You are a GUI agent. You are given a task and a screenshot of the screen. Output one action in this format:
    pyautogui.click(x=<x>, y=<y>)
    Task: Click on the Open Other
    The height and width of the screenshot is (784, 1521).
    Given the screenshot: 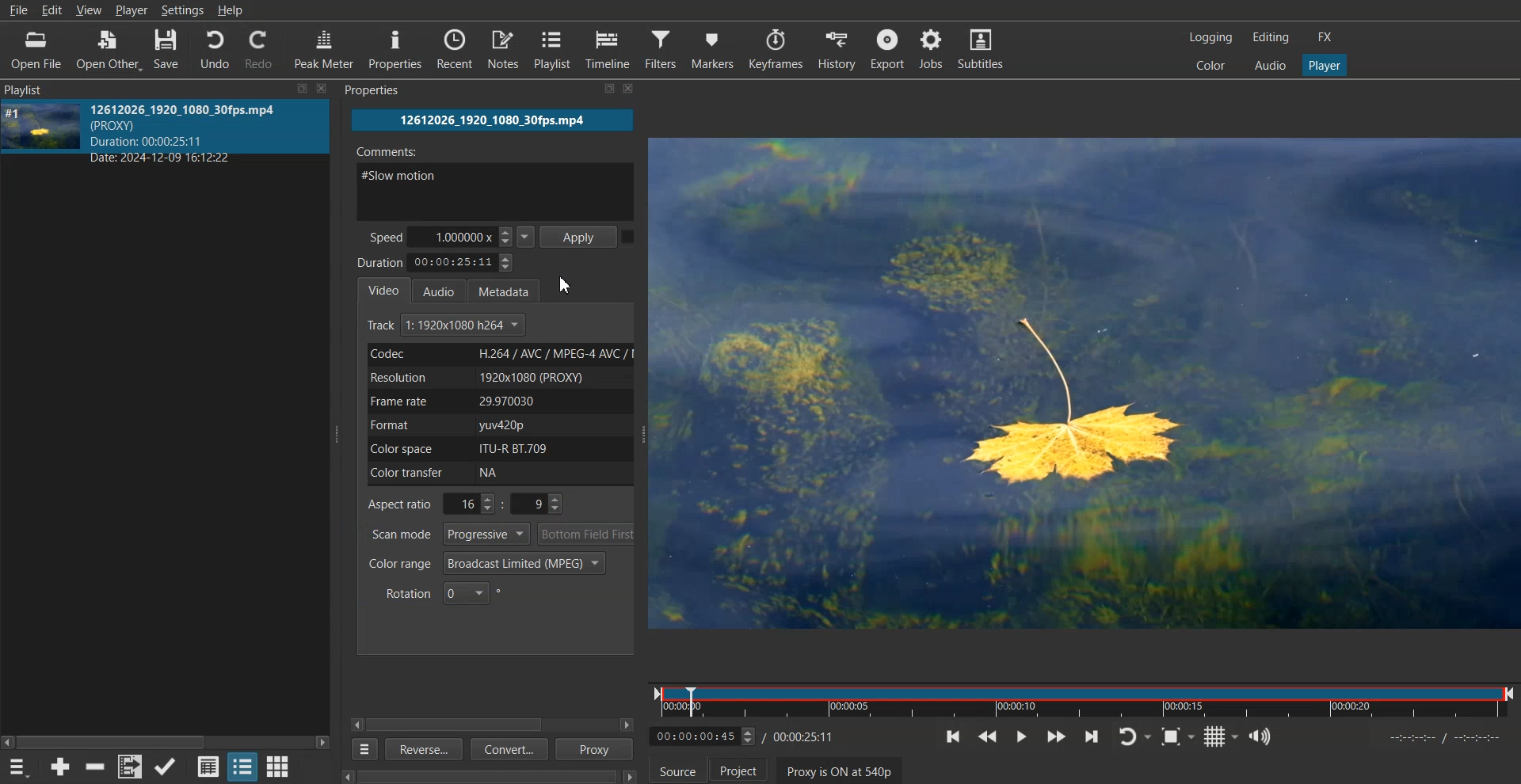 What is the action you would take?
    pyautogui.click(x=107, y=49)
    